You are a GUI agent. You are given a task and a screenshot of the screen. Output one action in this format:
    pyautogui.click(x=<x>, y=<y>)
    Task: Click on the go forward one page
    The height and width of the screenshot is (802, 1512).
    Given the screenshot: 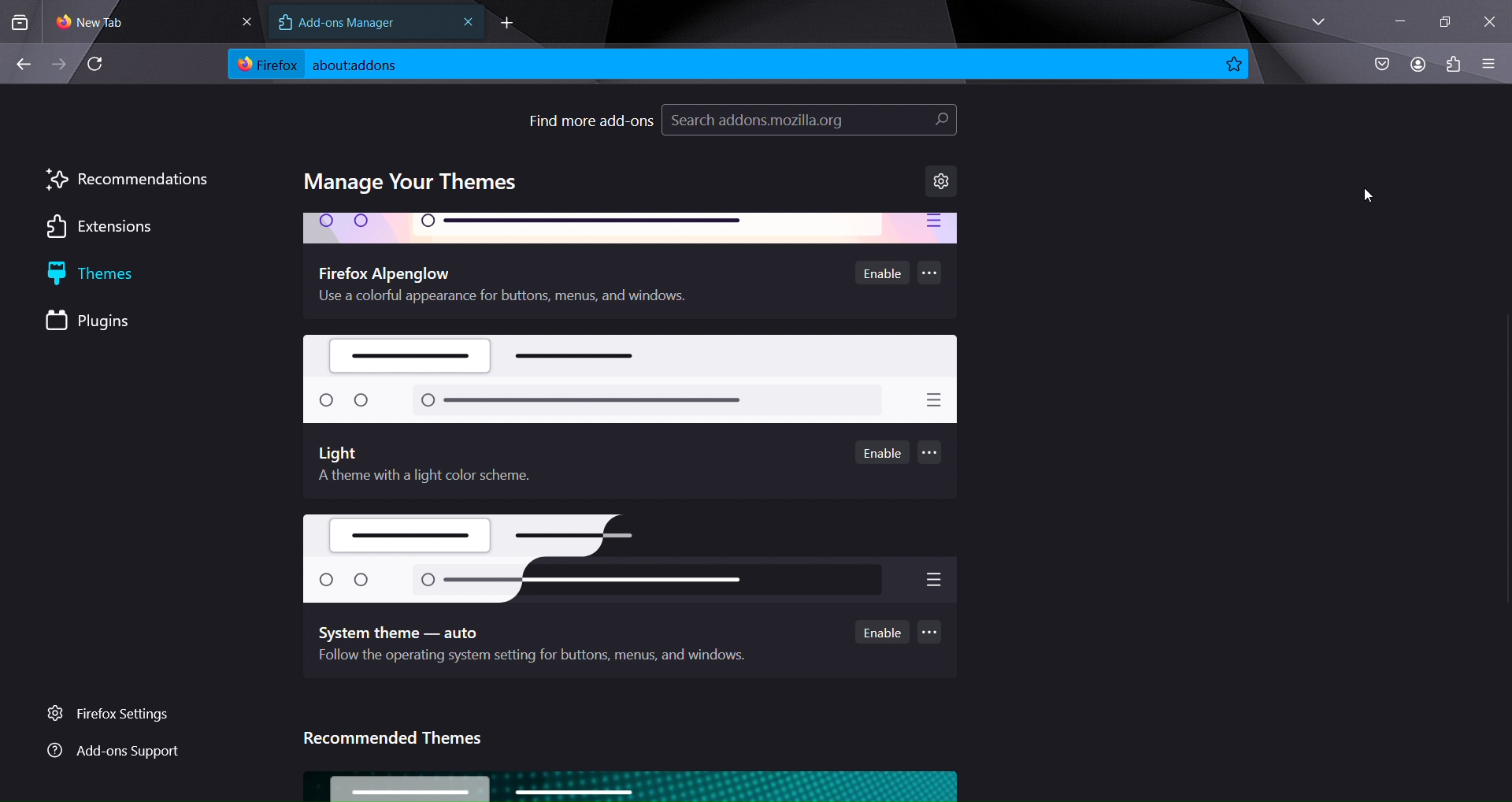 What is the action you would take?
    pyautogui.click(x=61, y=65)
    